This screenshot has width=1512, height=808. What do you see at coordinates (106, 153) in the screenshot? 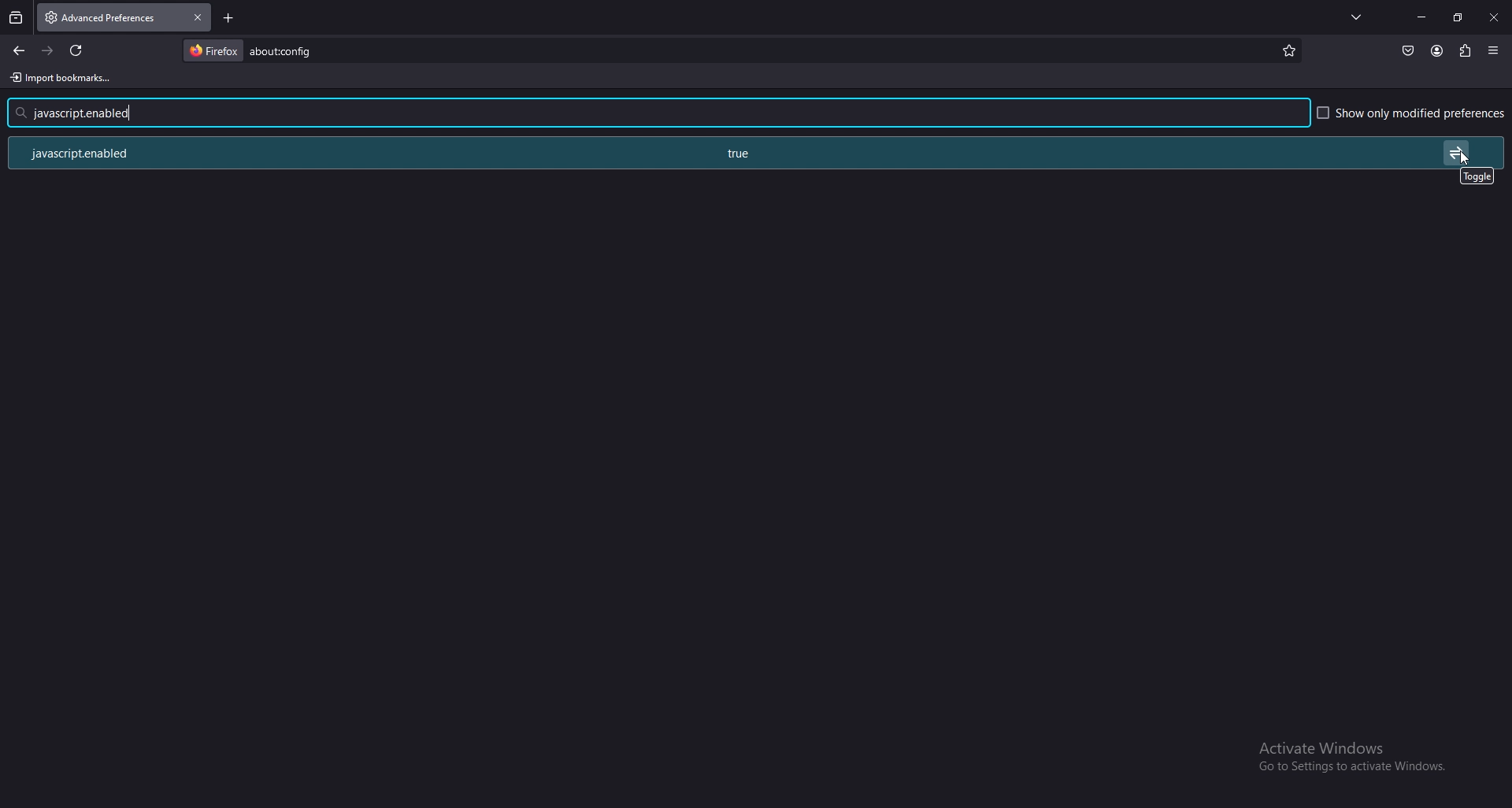
I see `preference` at bounding box center [106, 153].